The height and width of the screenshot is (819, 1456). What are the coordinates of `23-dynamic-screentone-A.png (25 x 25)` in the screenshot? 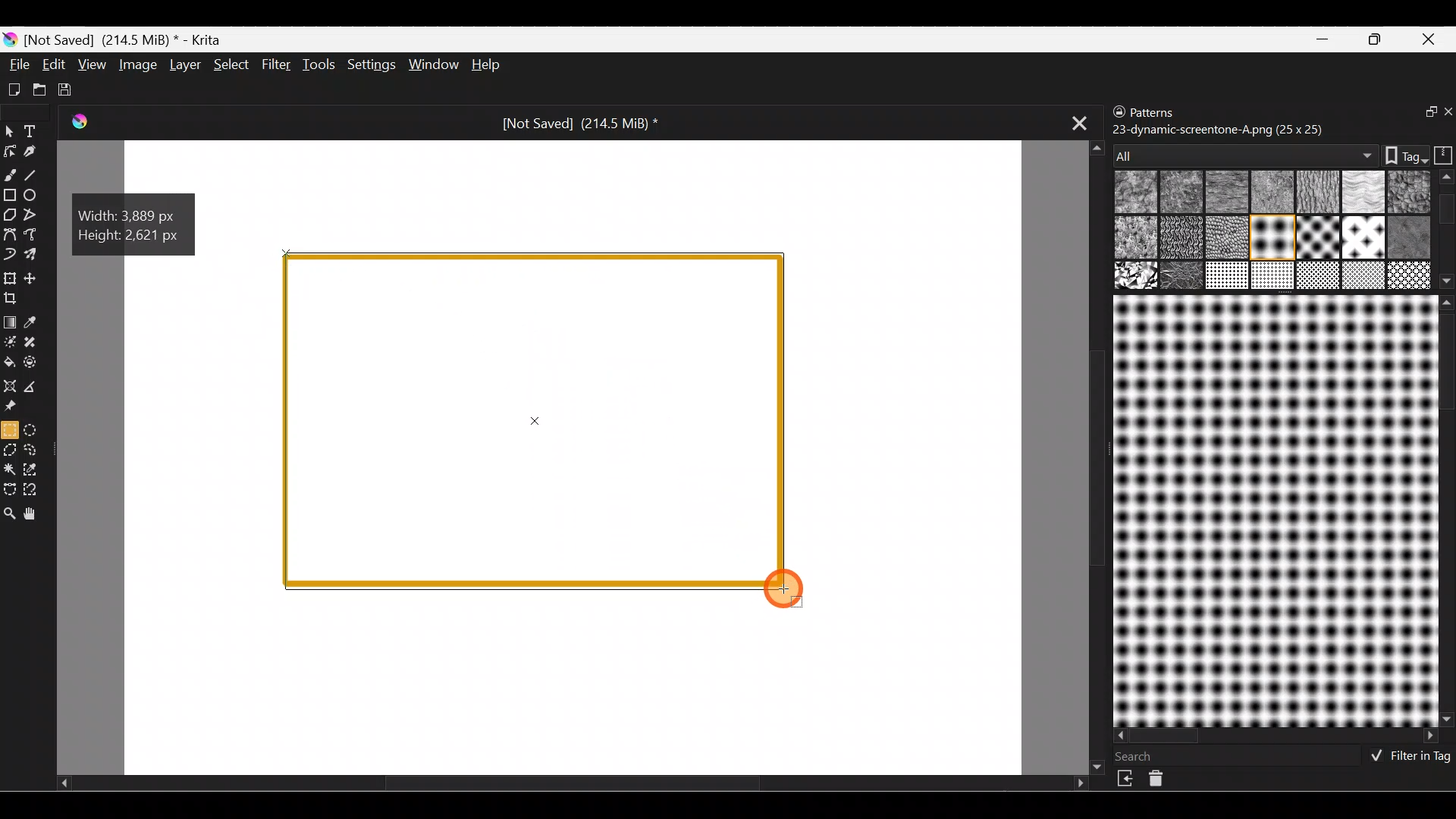 It's located at (1219, 128).